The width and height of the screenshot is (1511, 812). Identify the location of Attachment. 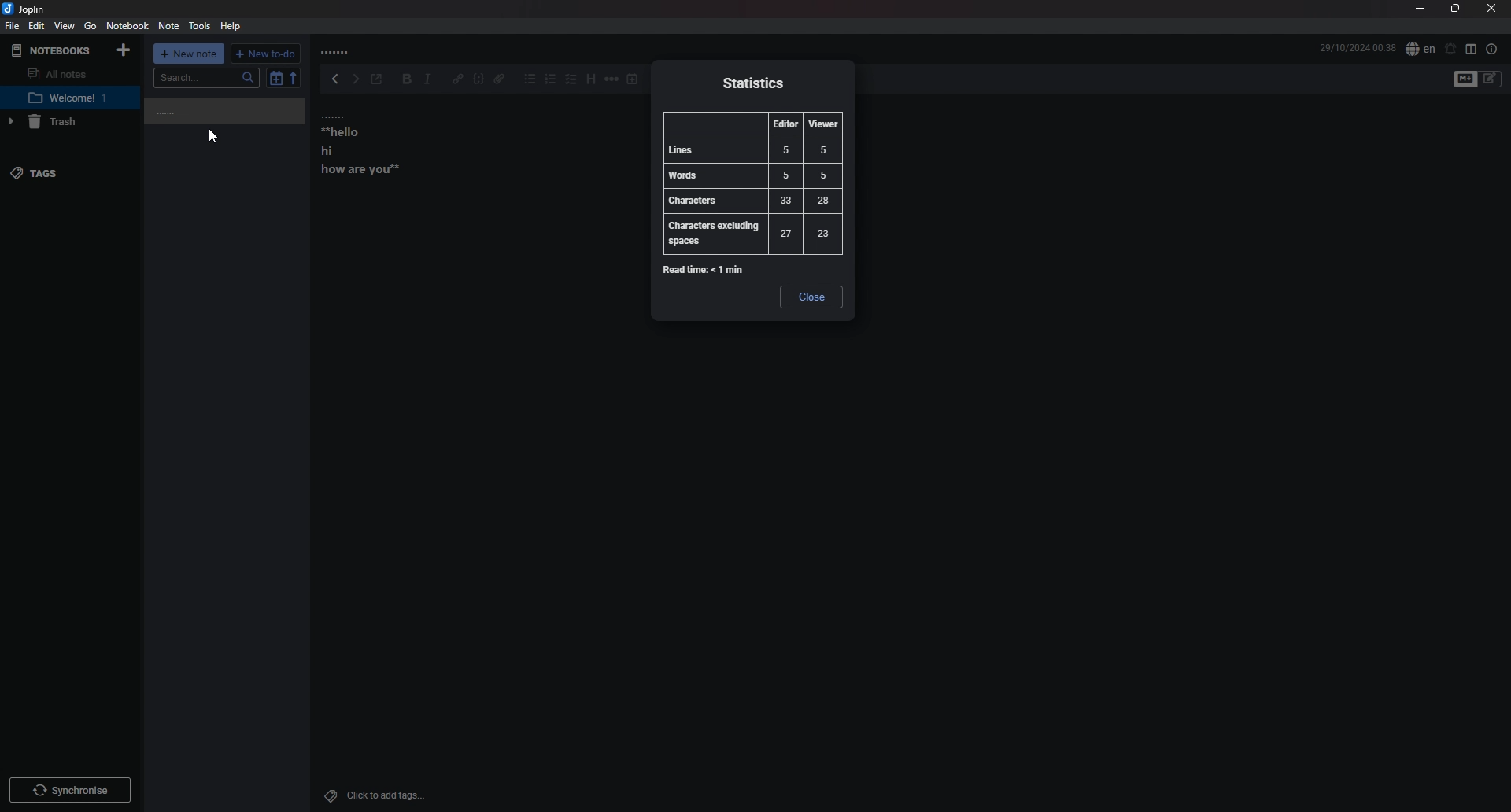
(500, 79).